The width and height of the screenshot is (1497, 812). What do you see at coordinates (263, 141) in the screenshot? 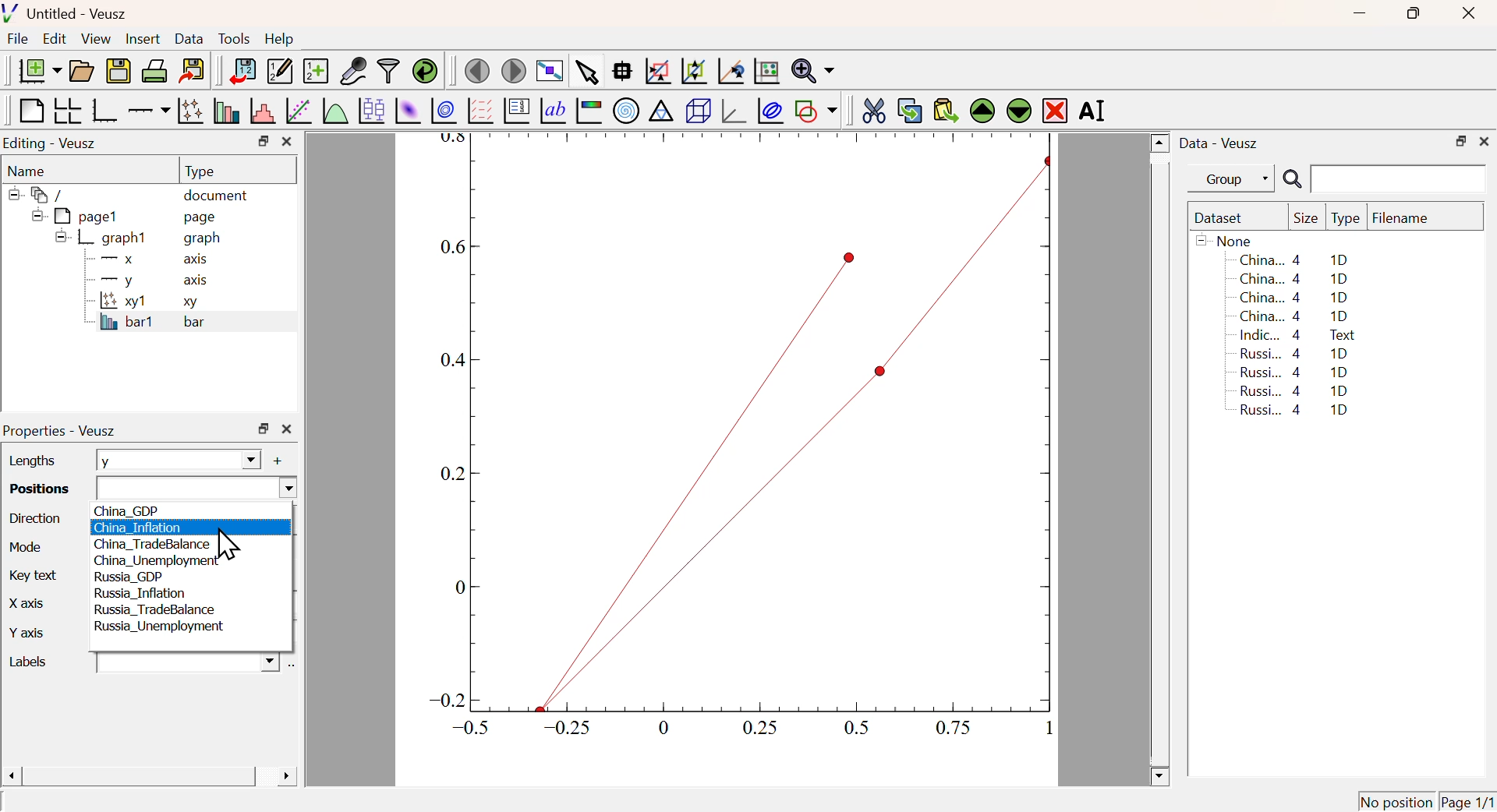
I see `Restore Down` at bounding box center [263, 141].